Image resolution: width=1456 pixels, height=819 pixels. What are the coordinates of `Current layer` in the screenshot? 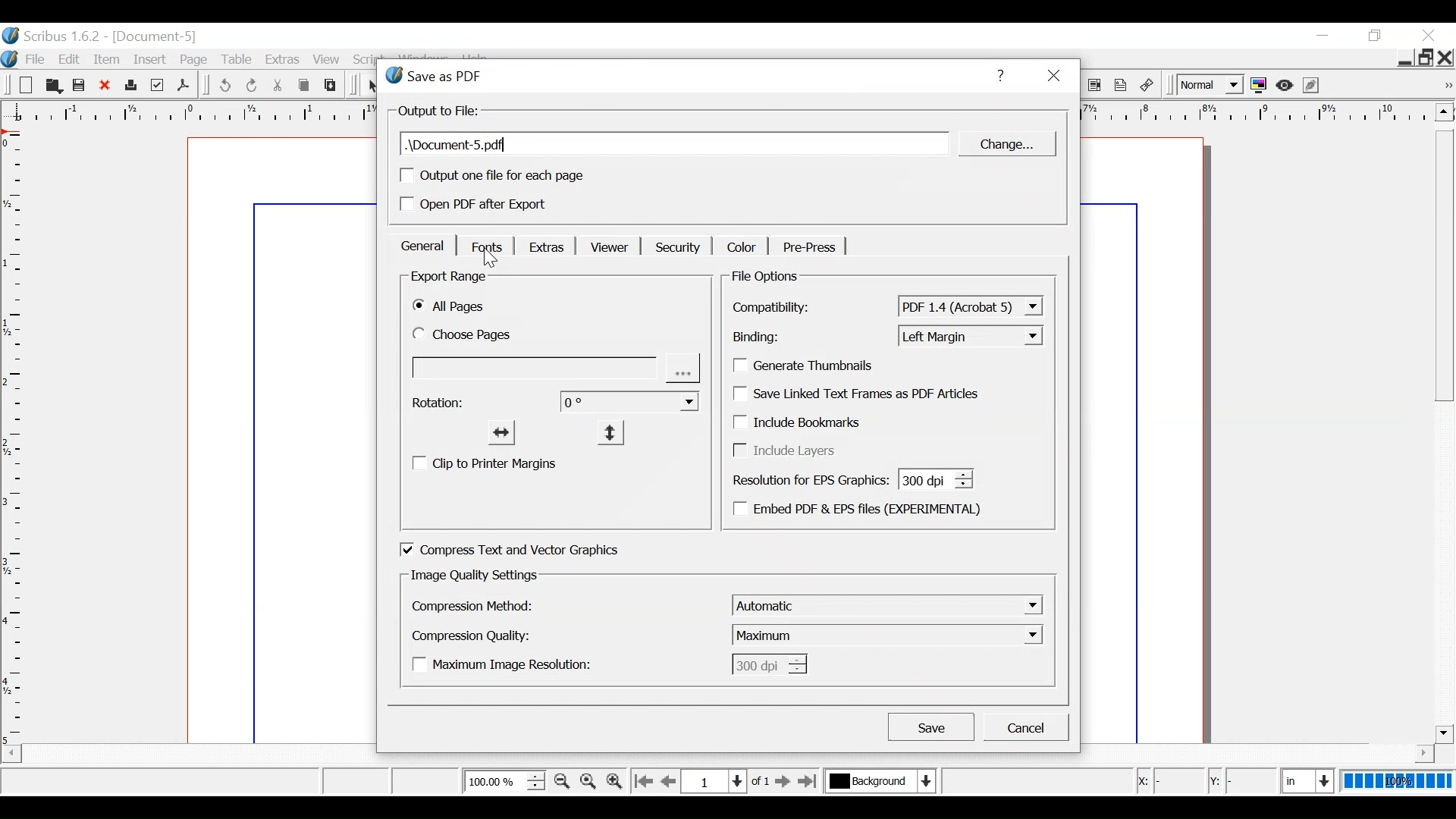 It's located at (880, 780).